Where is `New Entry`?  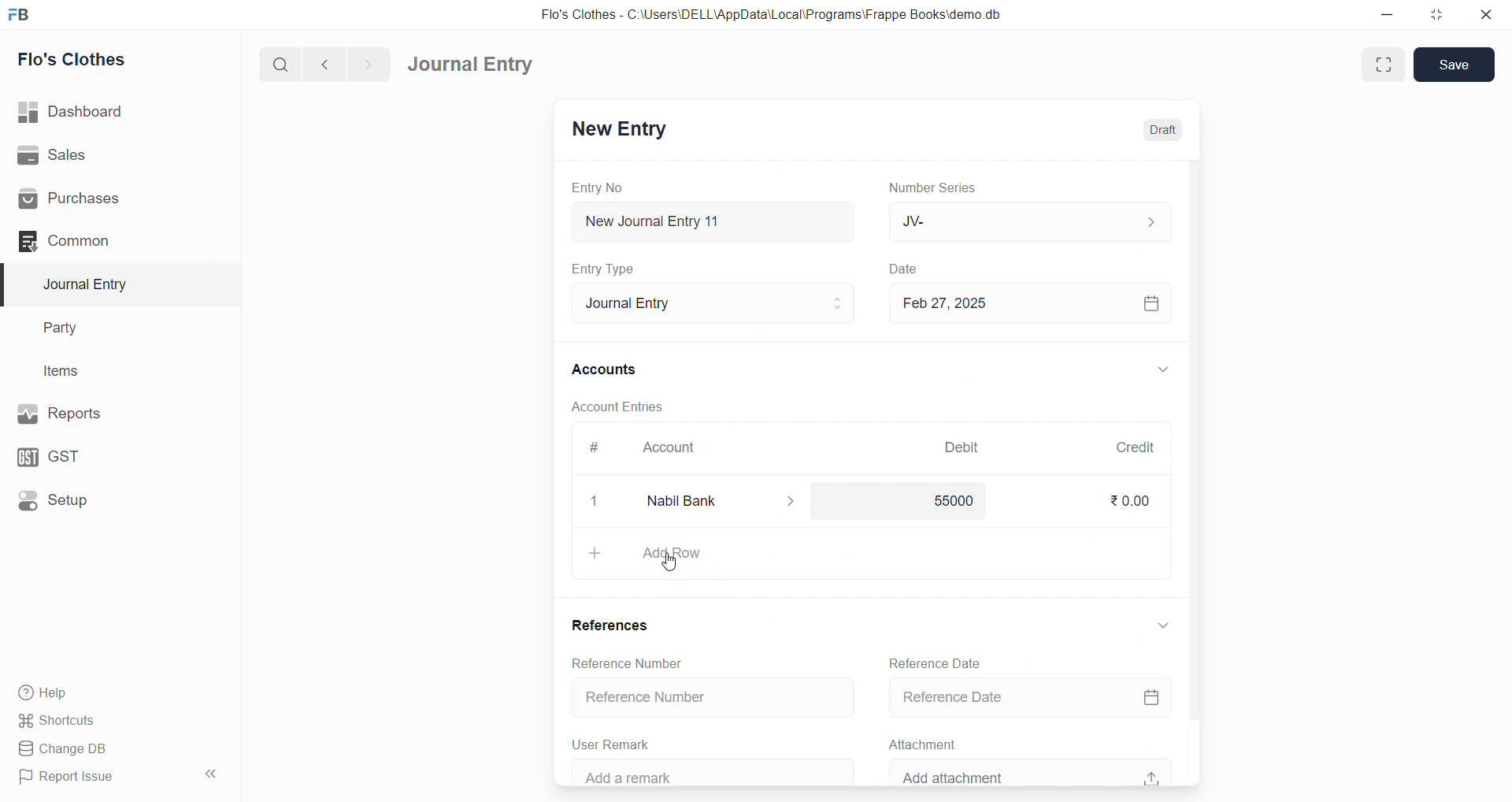 New Entry is located at coordinates (622, 130).